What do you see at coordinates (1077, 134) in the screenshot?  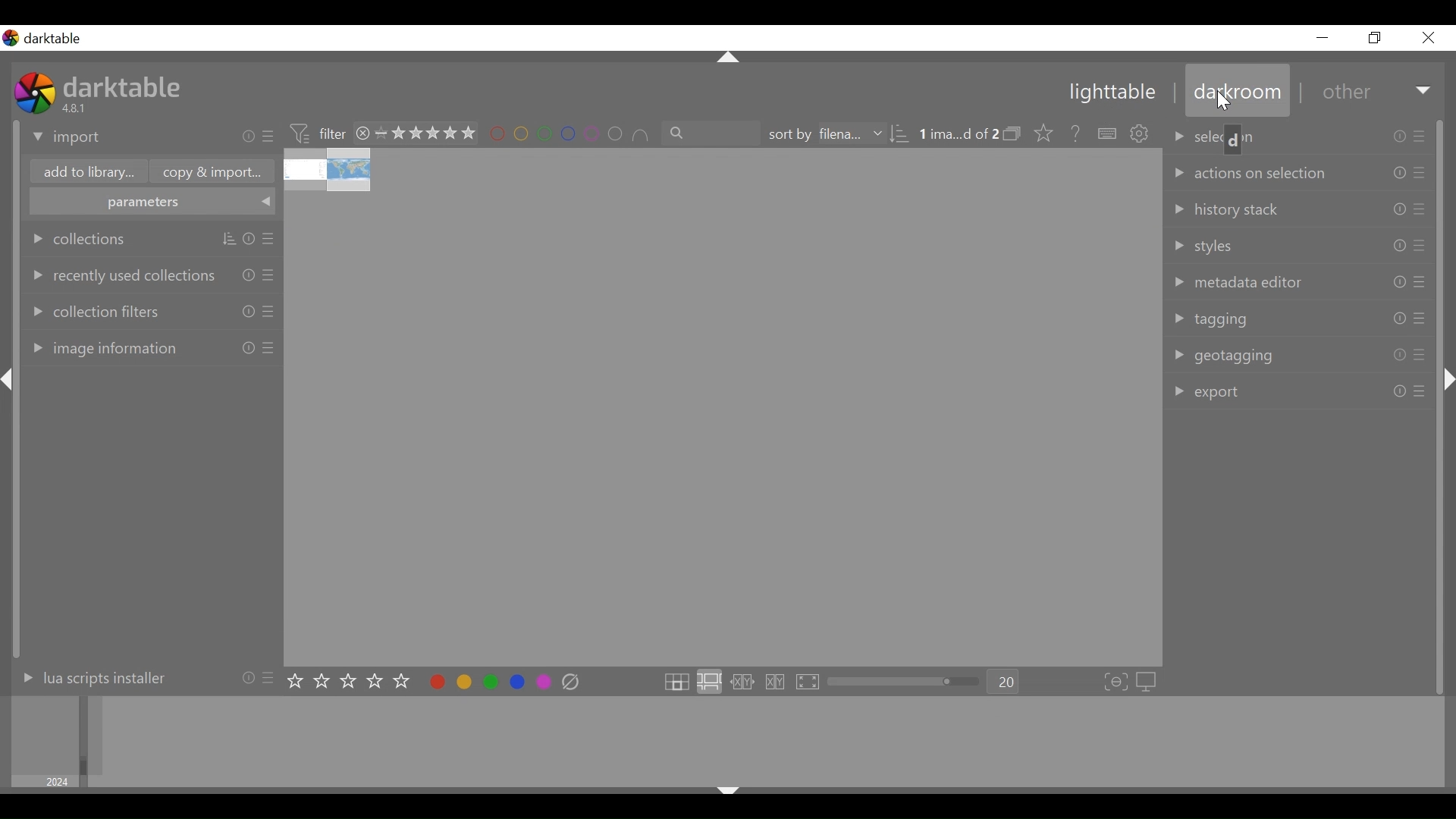 I see `help` at bounding box center [1077, 134].